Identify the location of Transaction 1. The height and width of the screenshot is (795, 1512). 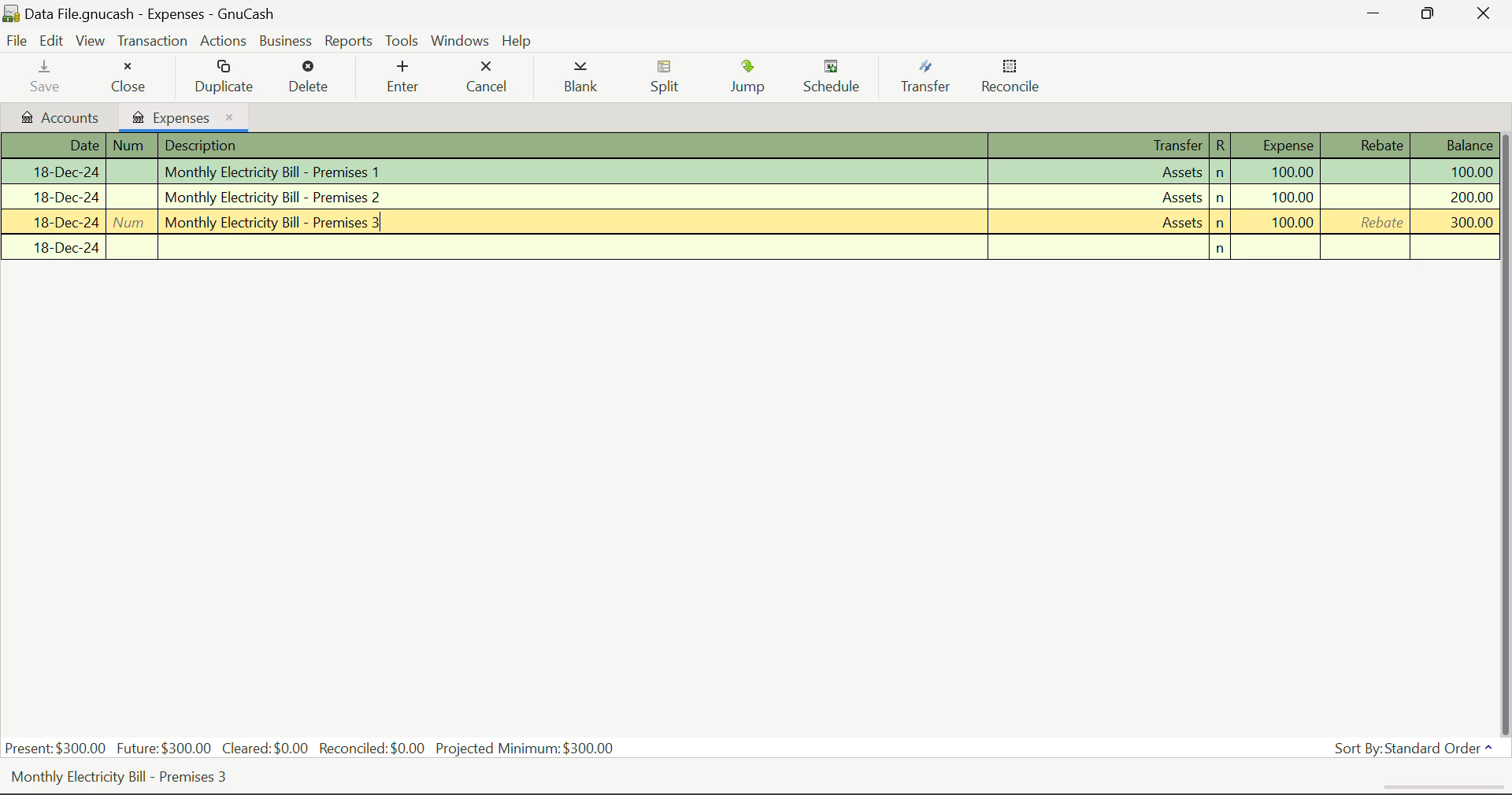
(755, 172).